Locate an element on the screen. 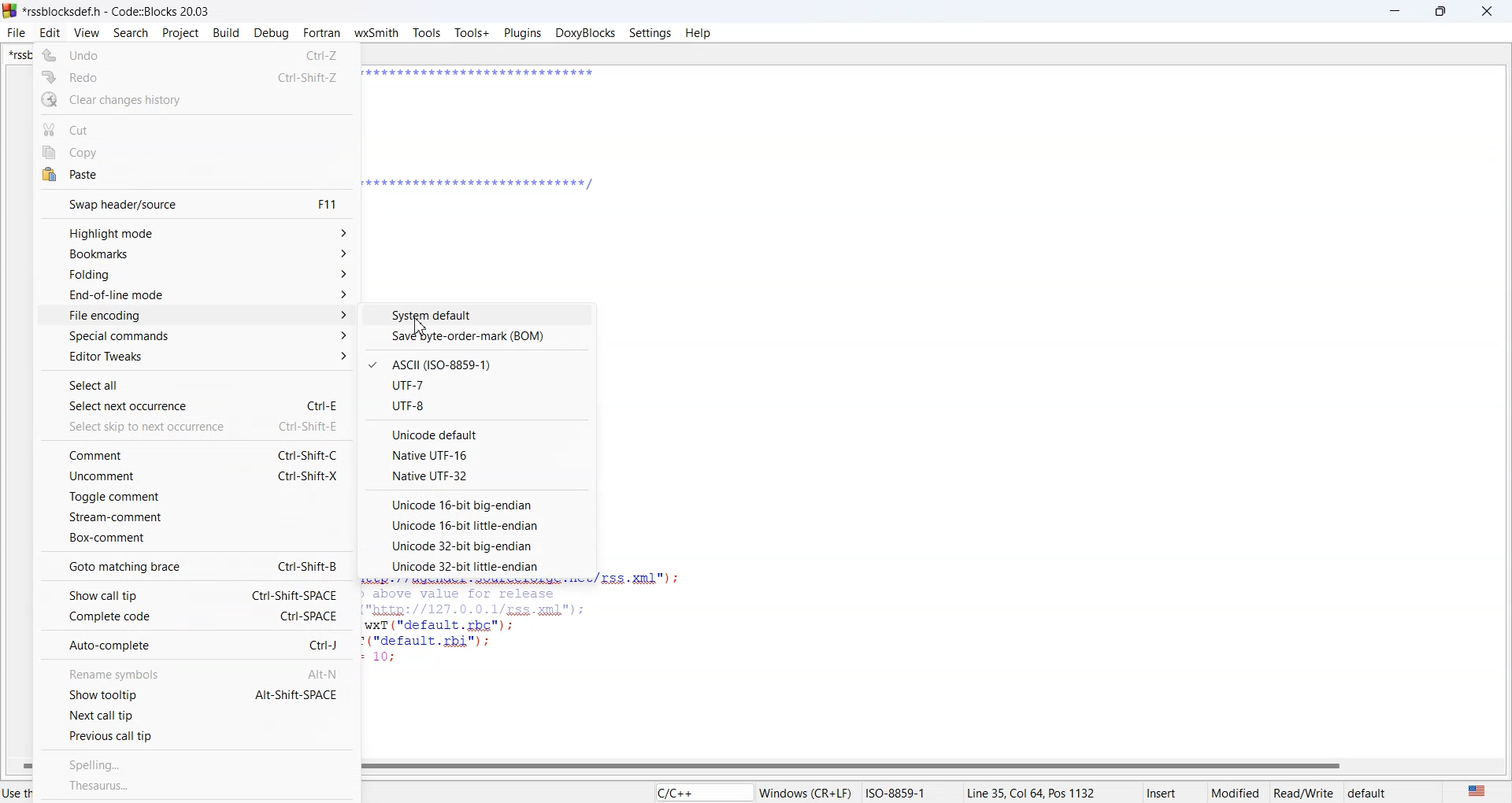 The height and width of the screenshot is (803, 1512). Build is located at coordinates (227, 32).